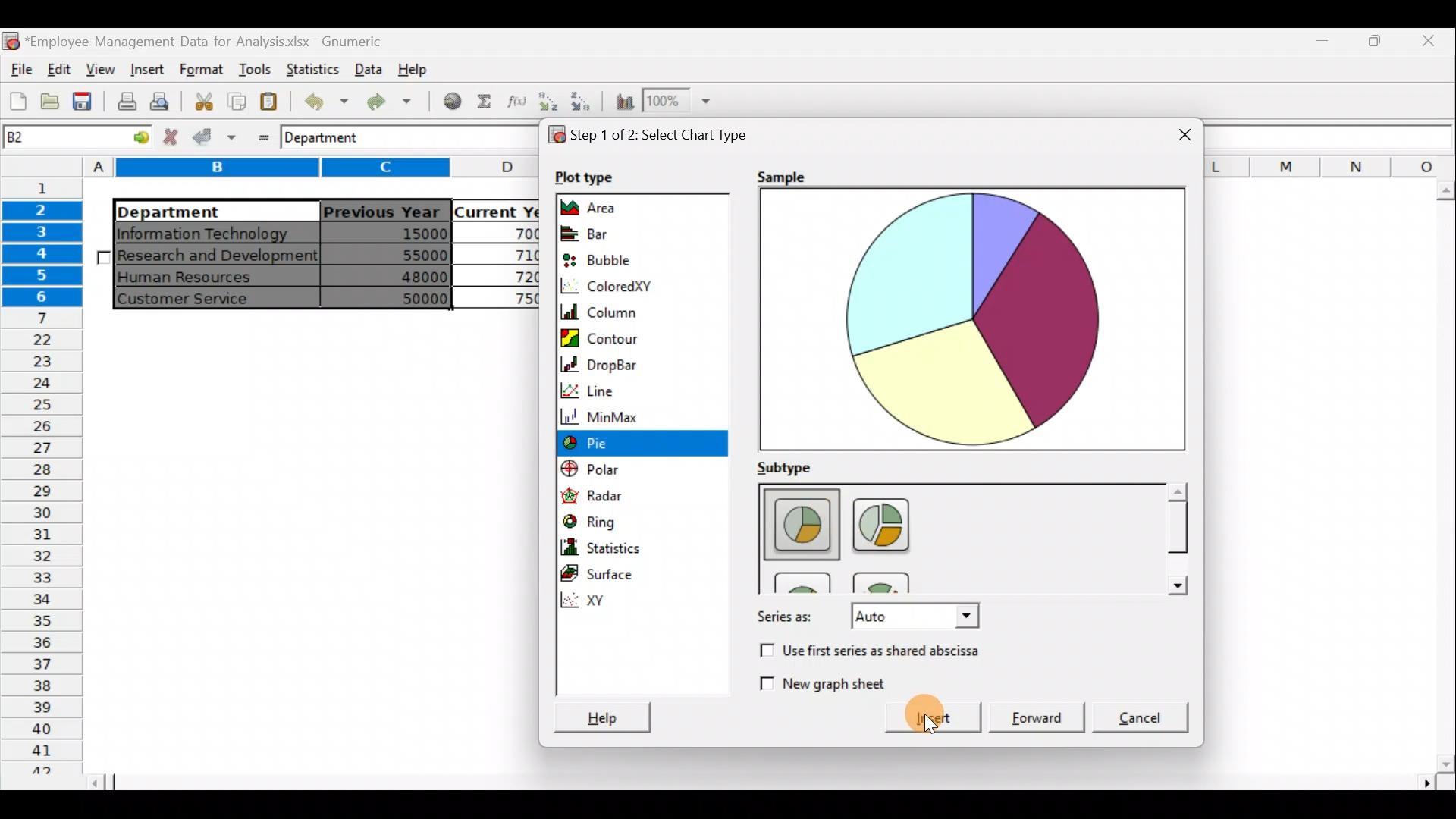 This screenshot has height=819, width=1456. Describe the element at coordinates (620, 206) in the screenshot. I see `Area` at that location.